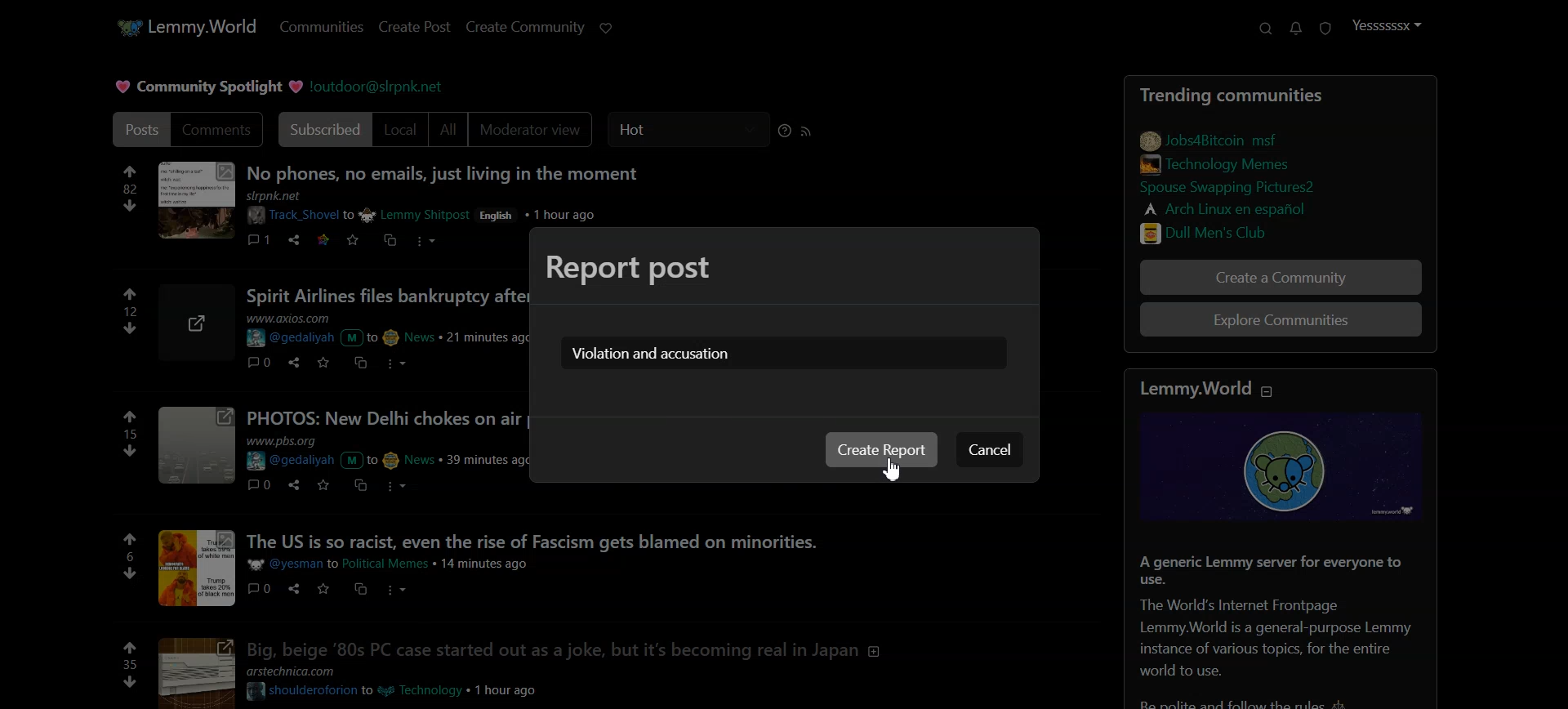 Image resolution: width=1568 pixels, height=709 pixels. Describe the element at coordinates (217, 130) in the screenshot. I see `Comments` at that location.